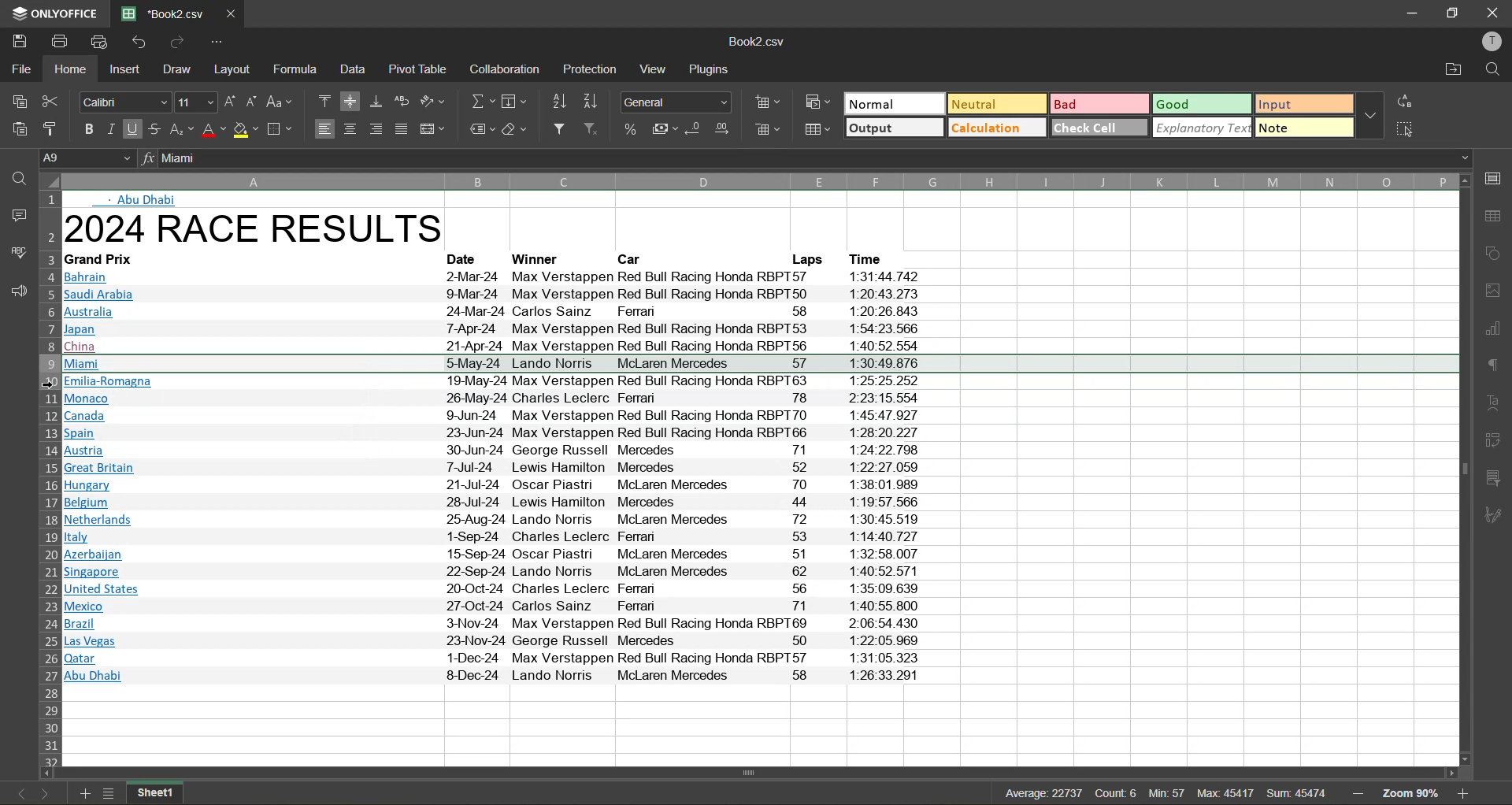 This screenshot has height=805, width=1512. I want to click on draw, so click(178, 69).